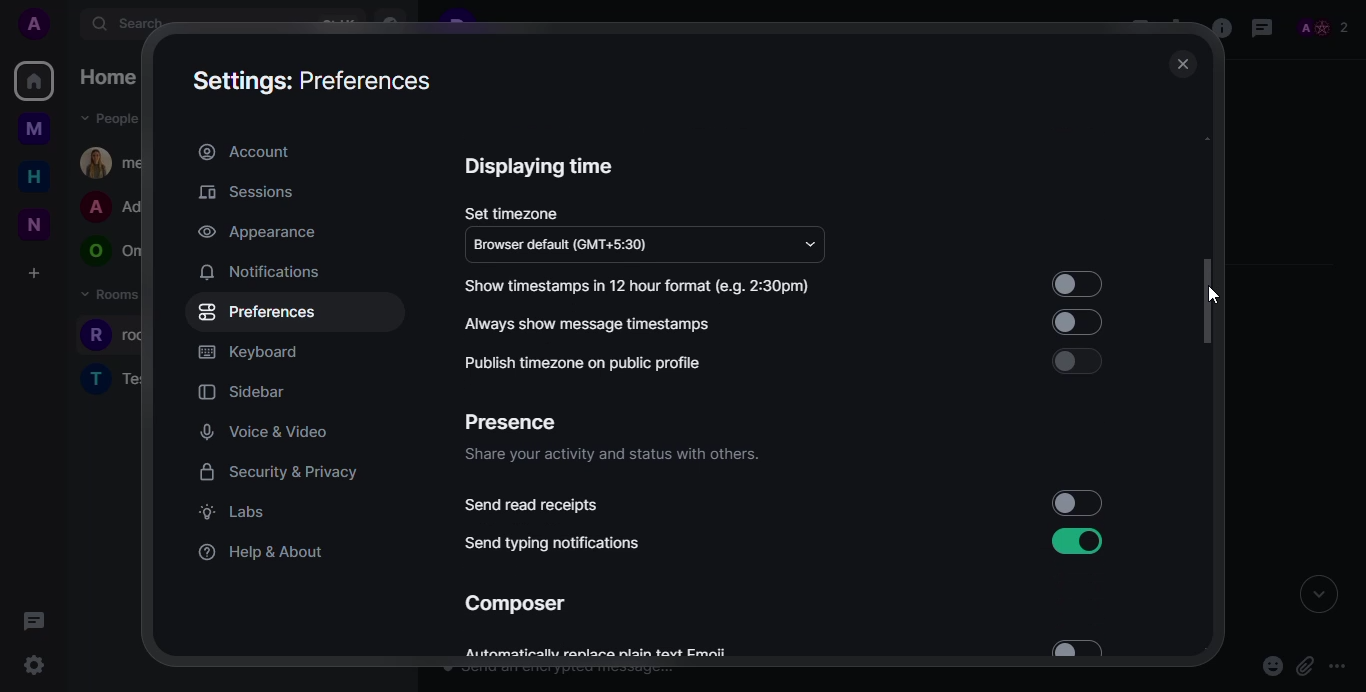 This screenshot has height=692, width=1366. What do you see at coordinates (33, 177) in the screenshot?
I see `home` at bounding box center [33, 177].